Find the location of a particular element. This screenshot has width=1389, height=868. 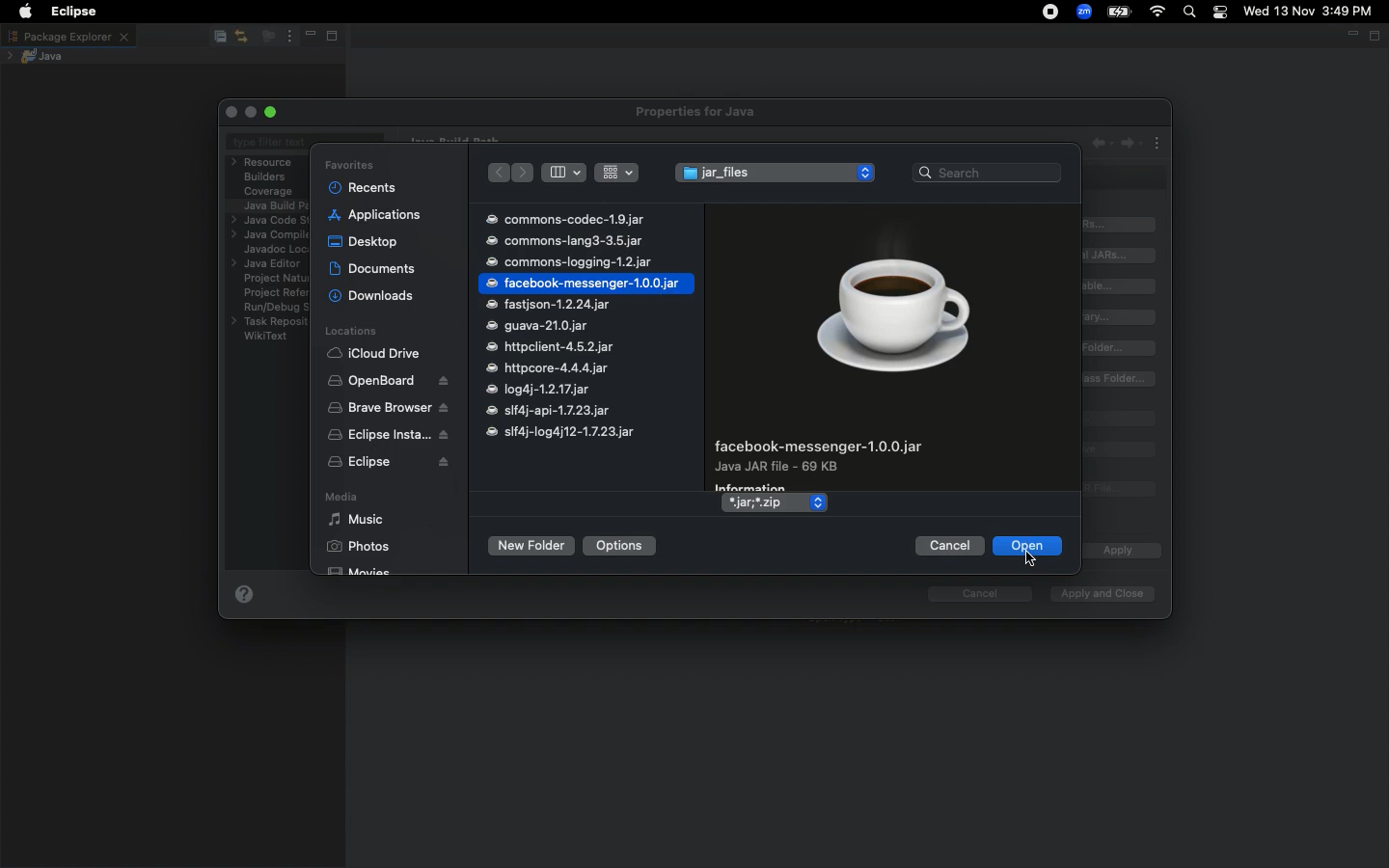

Migrate JAR file is located at coordinates (1116, 490).